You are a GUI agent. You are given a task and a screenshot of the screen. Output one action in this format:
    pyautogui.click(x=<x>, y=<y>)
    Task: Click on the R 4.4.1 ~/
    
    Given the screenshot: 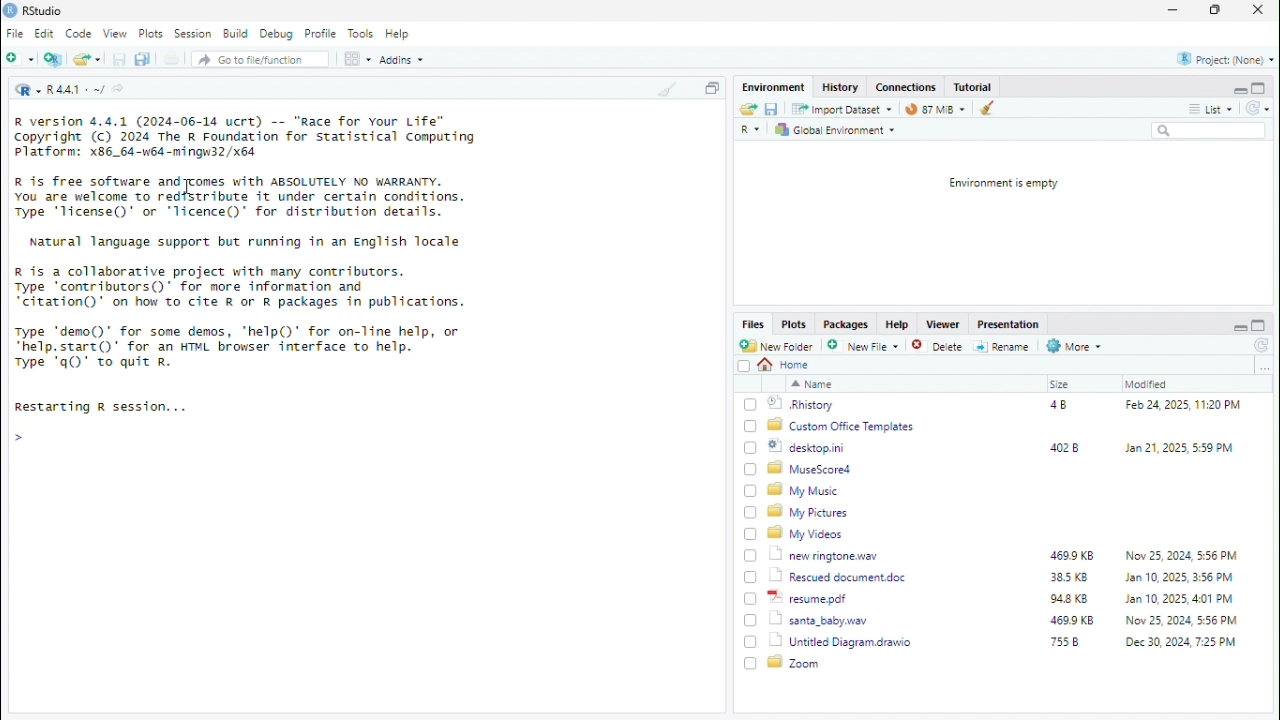 What is the action you would take?
    pyautogui.click(x=76, y=91)
    